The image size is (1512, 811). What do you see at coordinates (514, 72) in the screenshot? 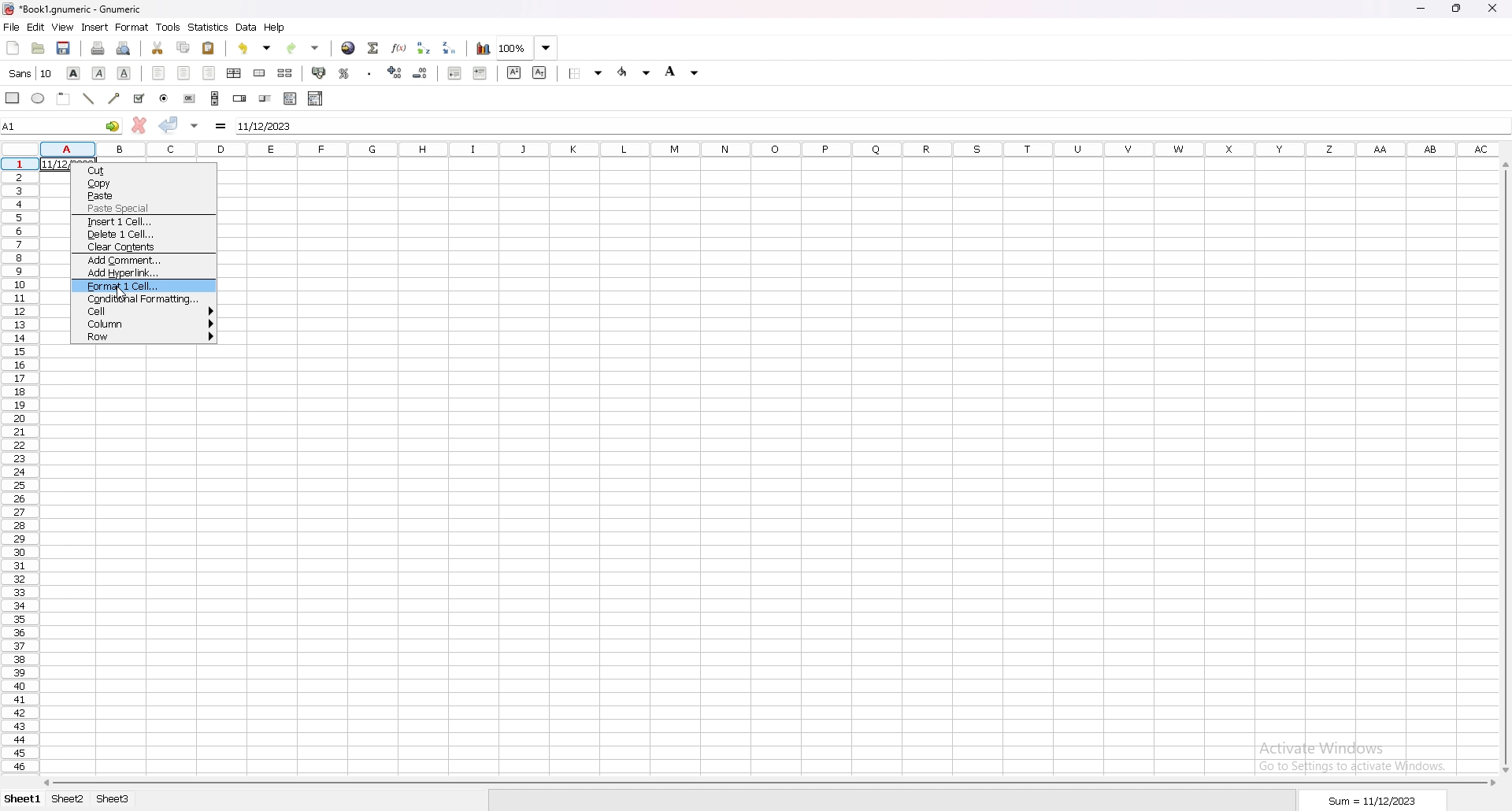
I see `sueprscript` at bounding box center [514, 72].